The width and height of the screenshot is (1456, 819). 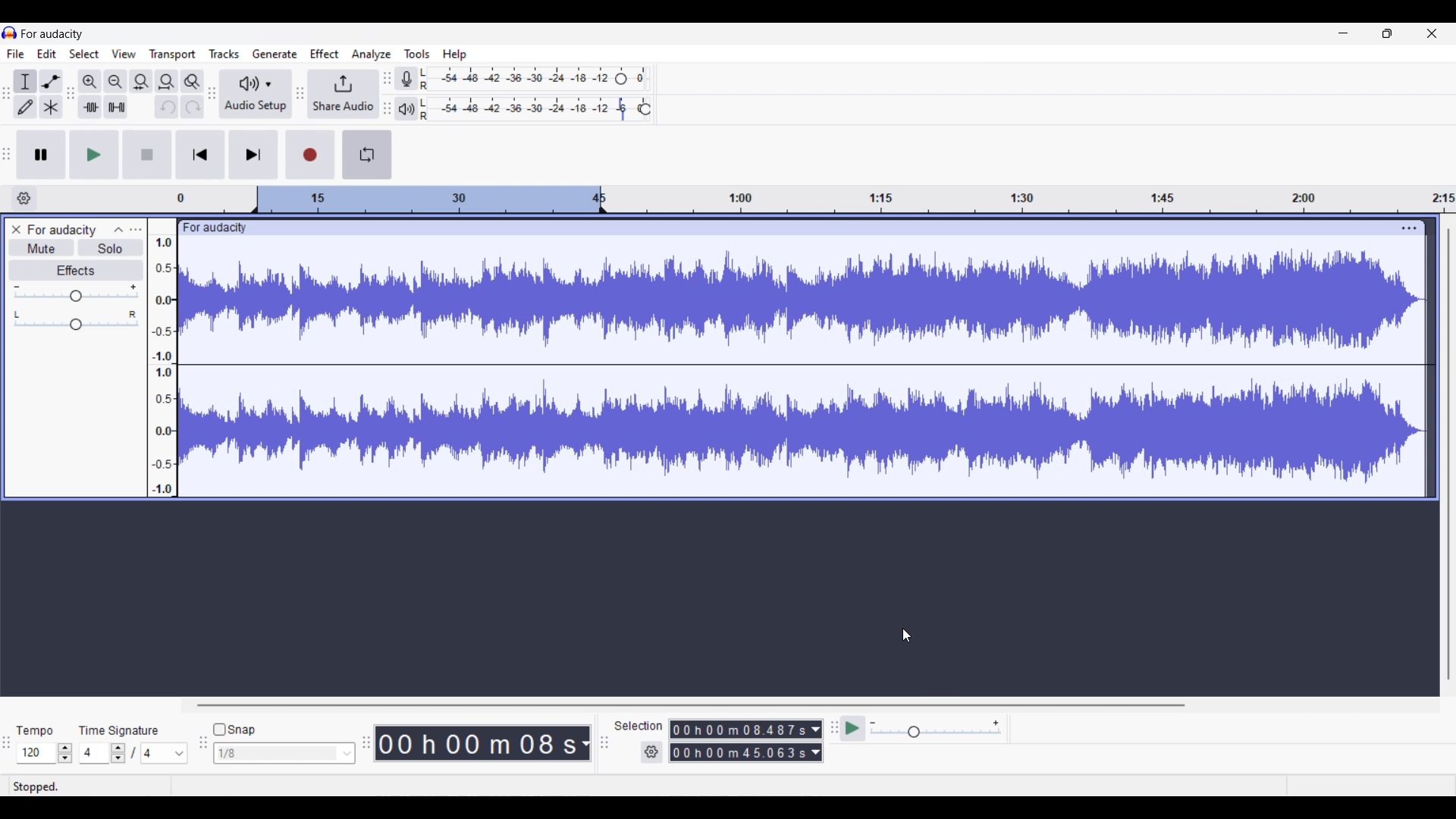 What do you see at coordinates (41, 155) in the screenshot?
I see `Pause` at bounding box center [41, 155].